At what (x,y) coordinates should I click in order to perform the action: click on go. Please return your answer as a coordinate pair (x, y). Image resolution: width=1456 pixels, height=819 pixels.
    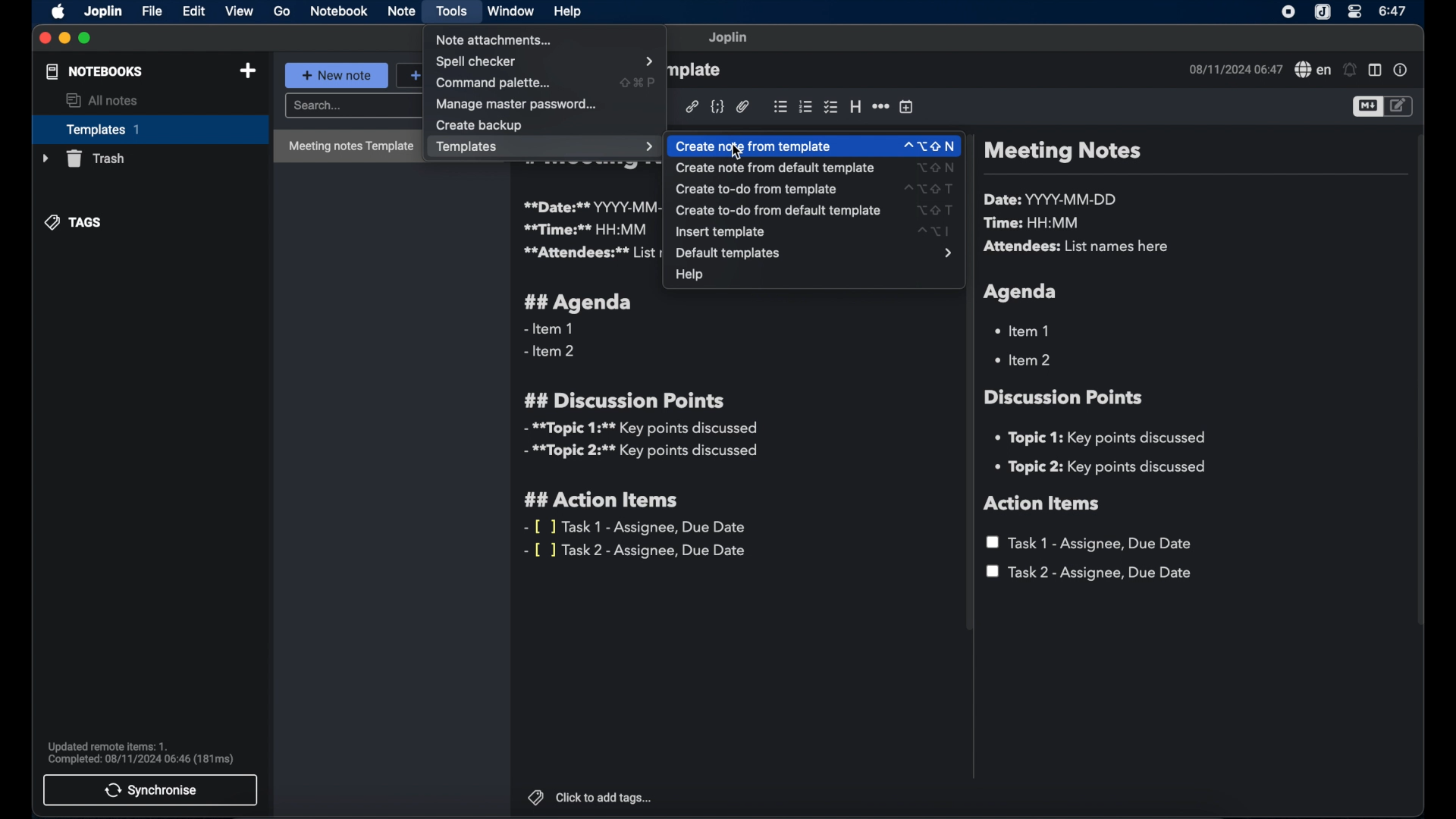
    Looking at the image, I should click on (282, 11).